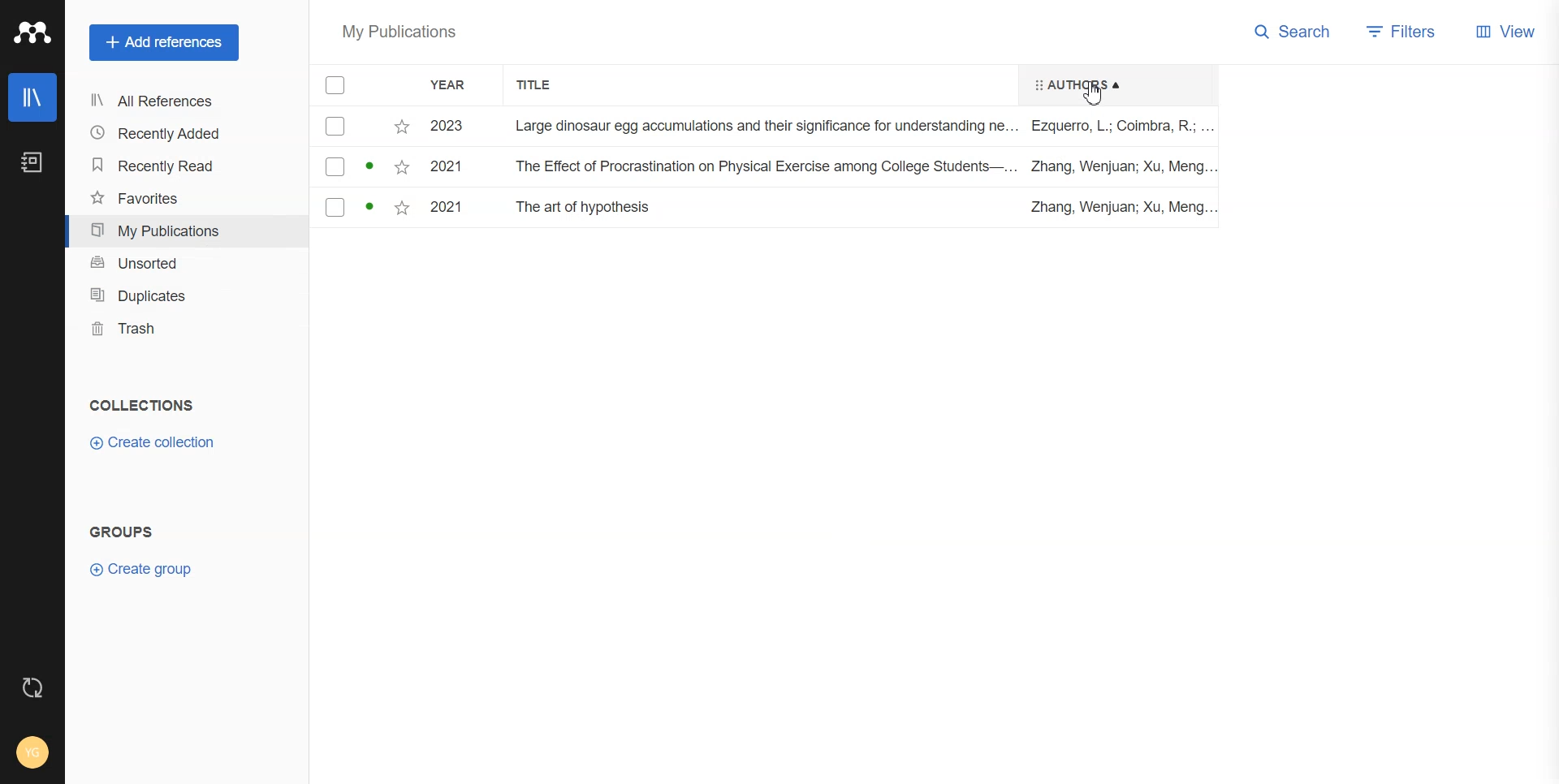 Image resolution: width=1559 pixels, height=784 pixels. What do you see at coordinates (767, 166) in the screenshot?
I see `The Effect of Procrastination on Physical Exercise among College Students—...` at bounding box center [767, 166].